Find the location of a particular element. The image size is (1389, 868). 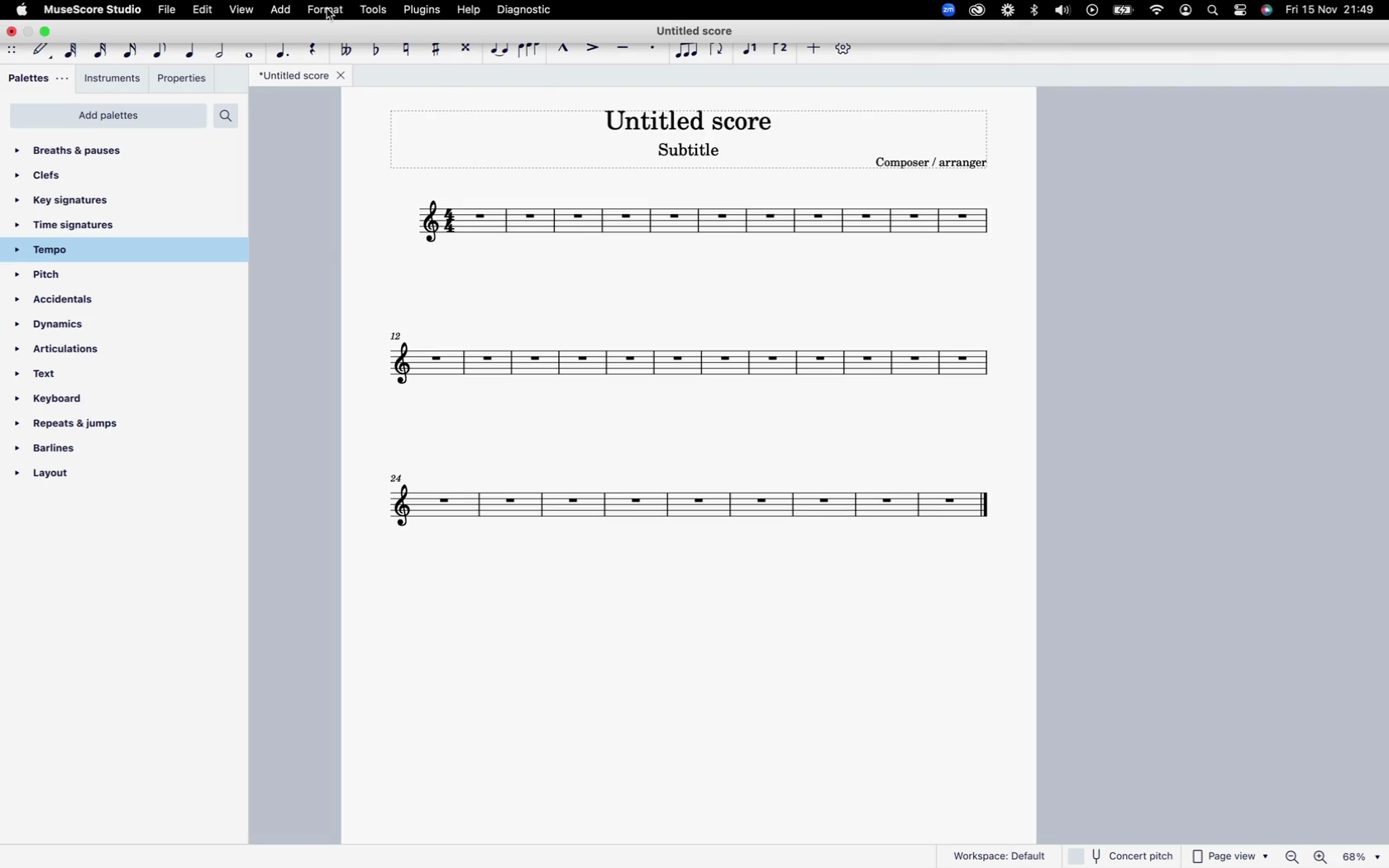

score title is located at coordinates (699, 27).